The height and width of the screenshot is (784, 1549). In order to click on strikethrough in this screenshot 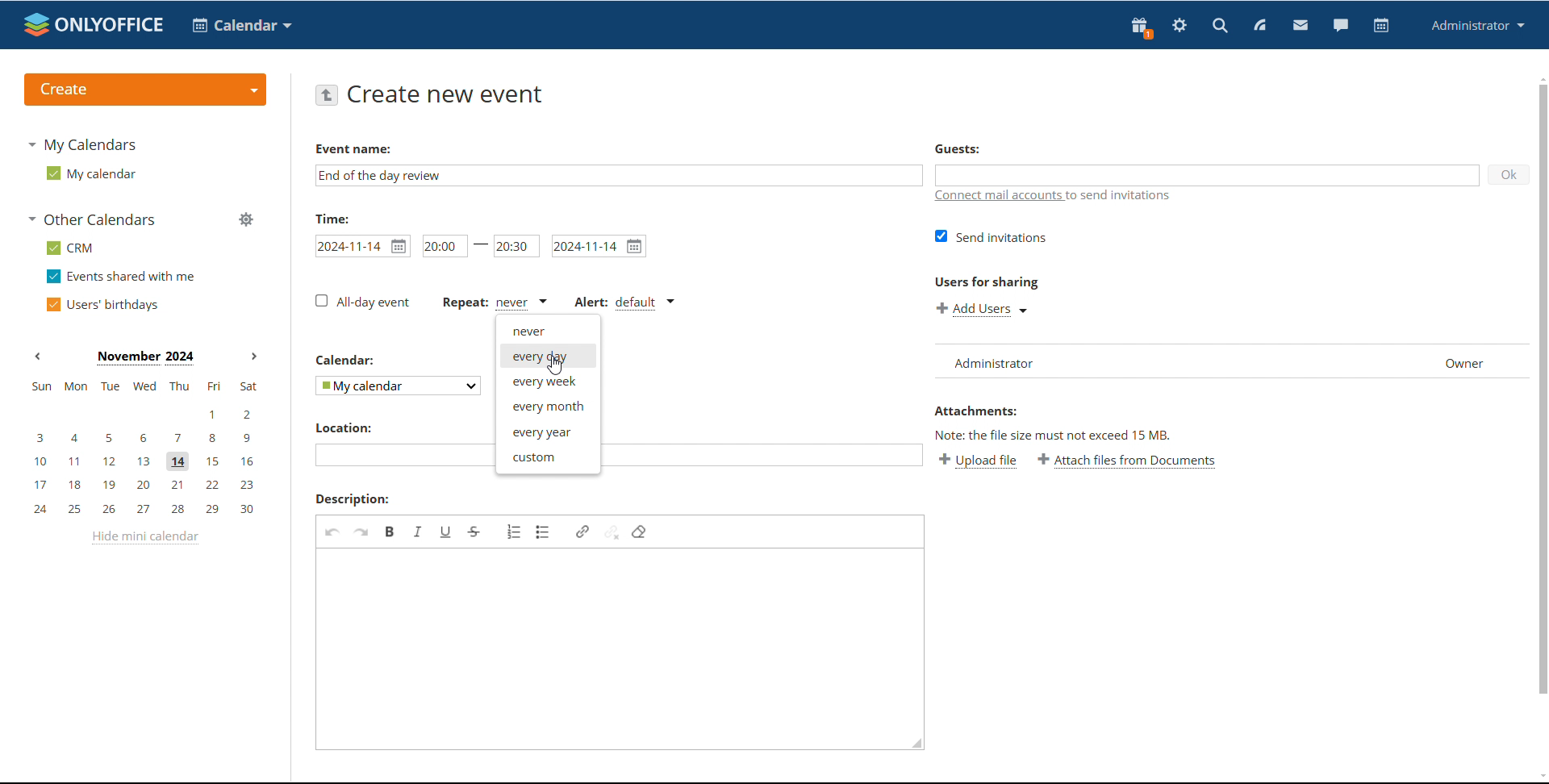, I will do `click(474, 532)`.